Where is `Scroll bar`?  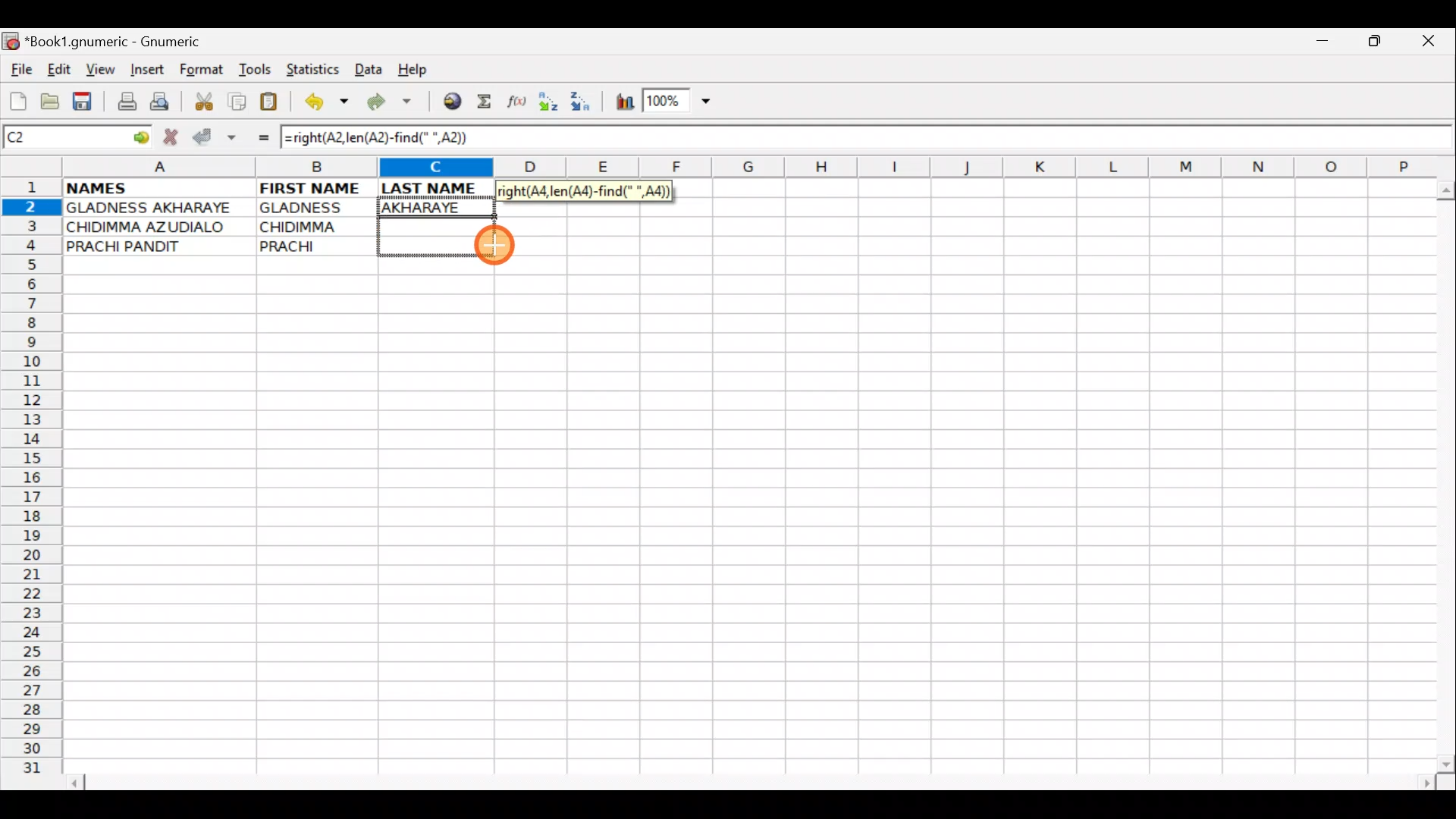
Scroll bar is located at coordinates (1442, 473).